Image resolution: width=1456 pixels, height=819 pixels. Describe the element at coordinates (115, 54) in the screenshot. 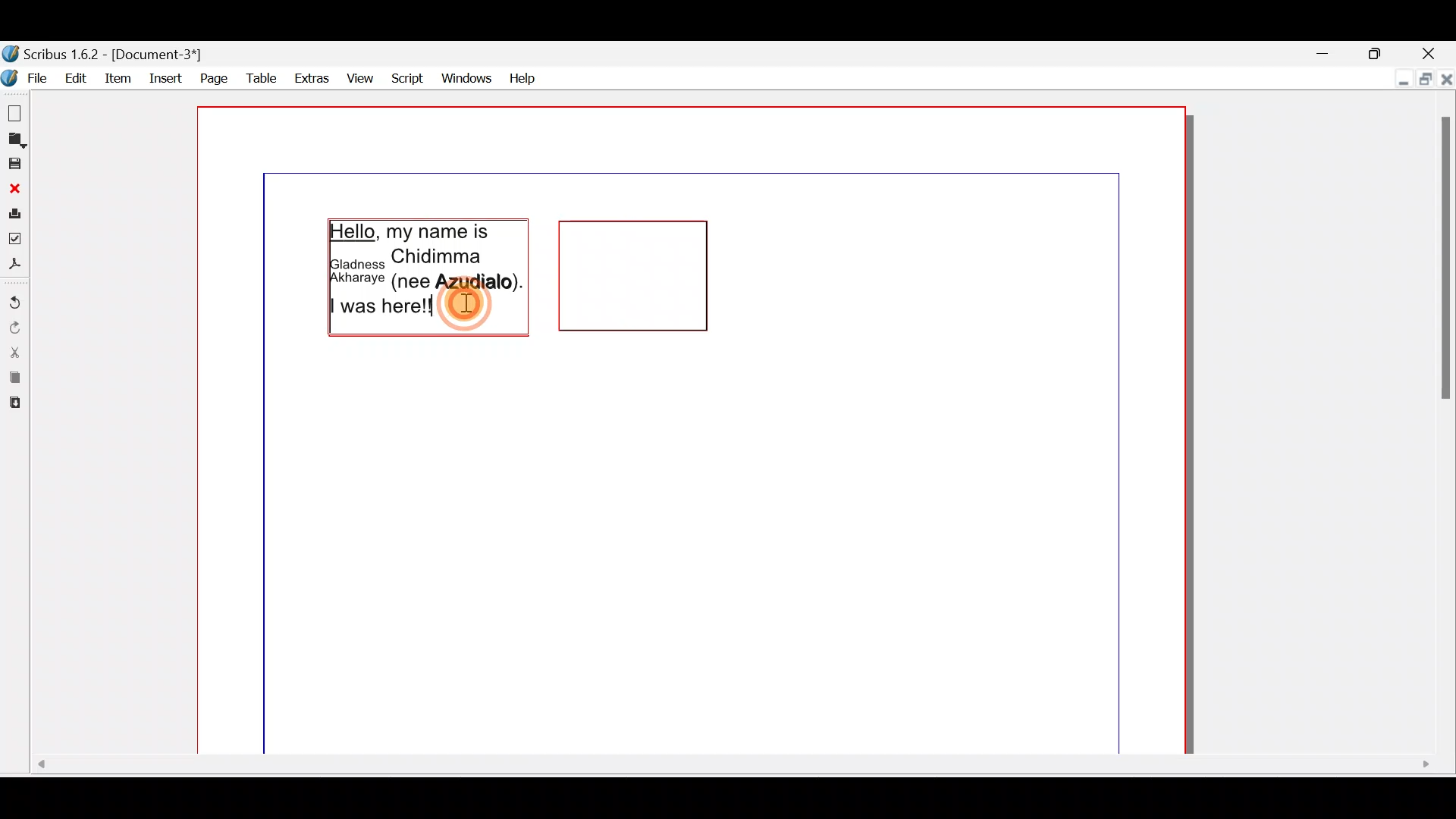

I see `Document name` at that location.